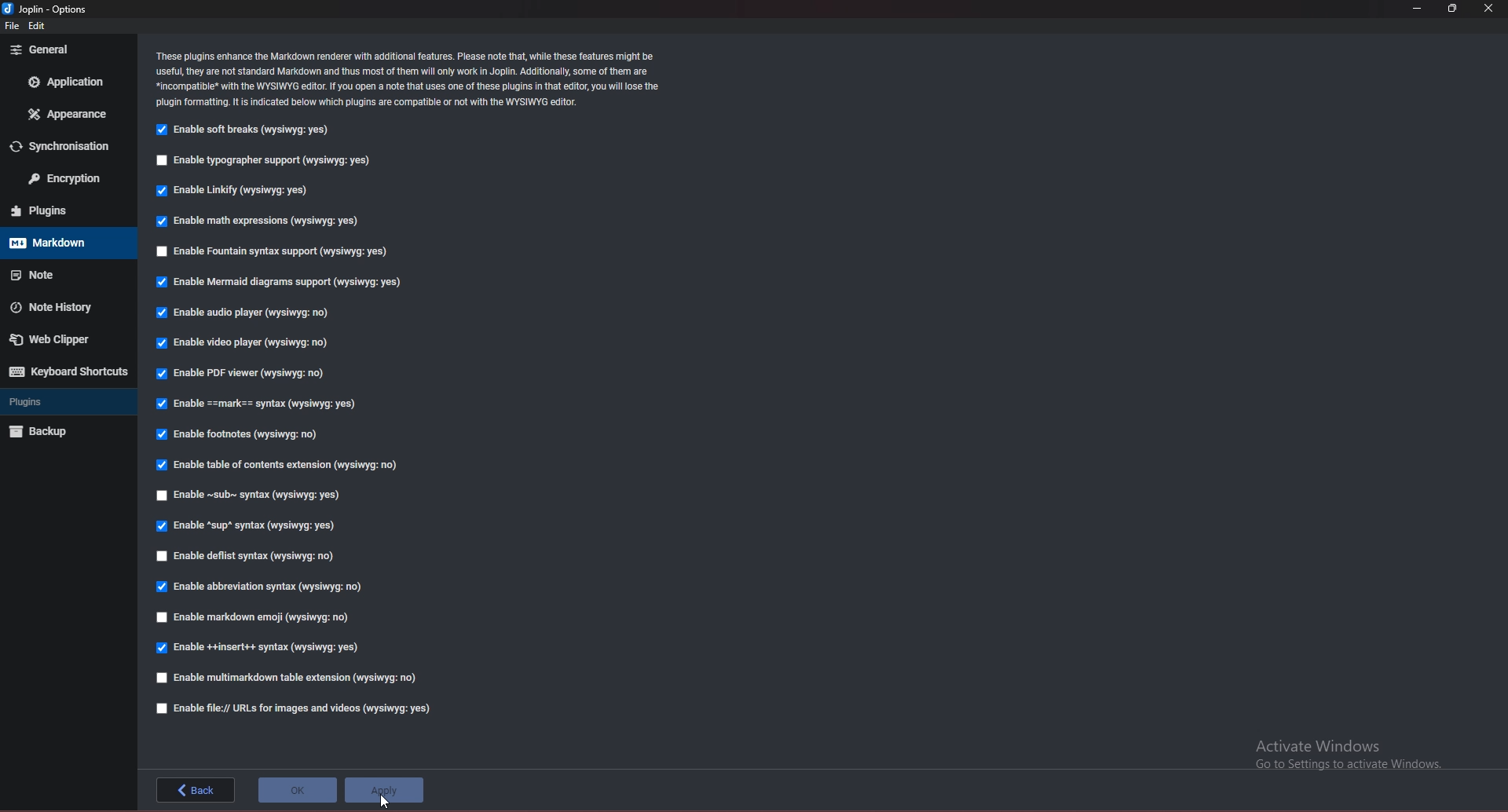  What do you see at coordinates (384, 790) in the screenshot?
I see `apply` at bounding box center [384, 790].